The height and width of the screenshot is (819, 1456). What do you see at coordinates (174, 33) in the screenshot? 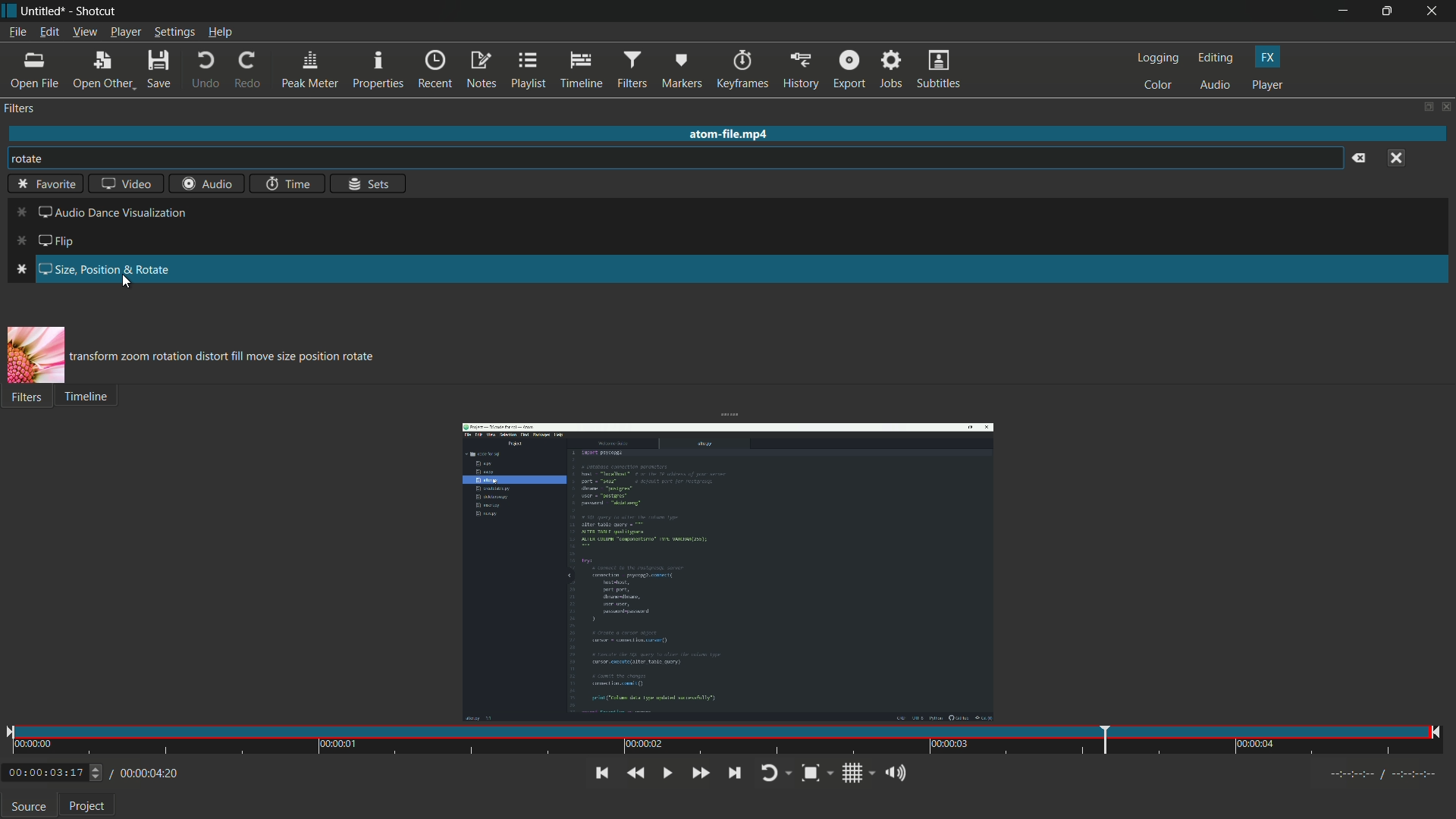
I see `settings menu` at bounding box center [174, 33].